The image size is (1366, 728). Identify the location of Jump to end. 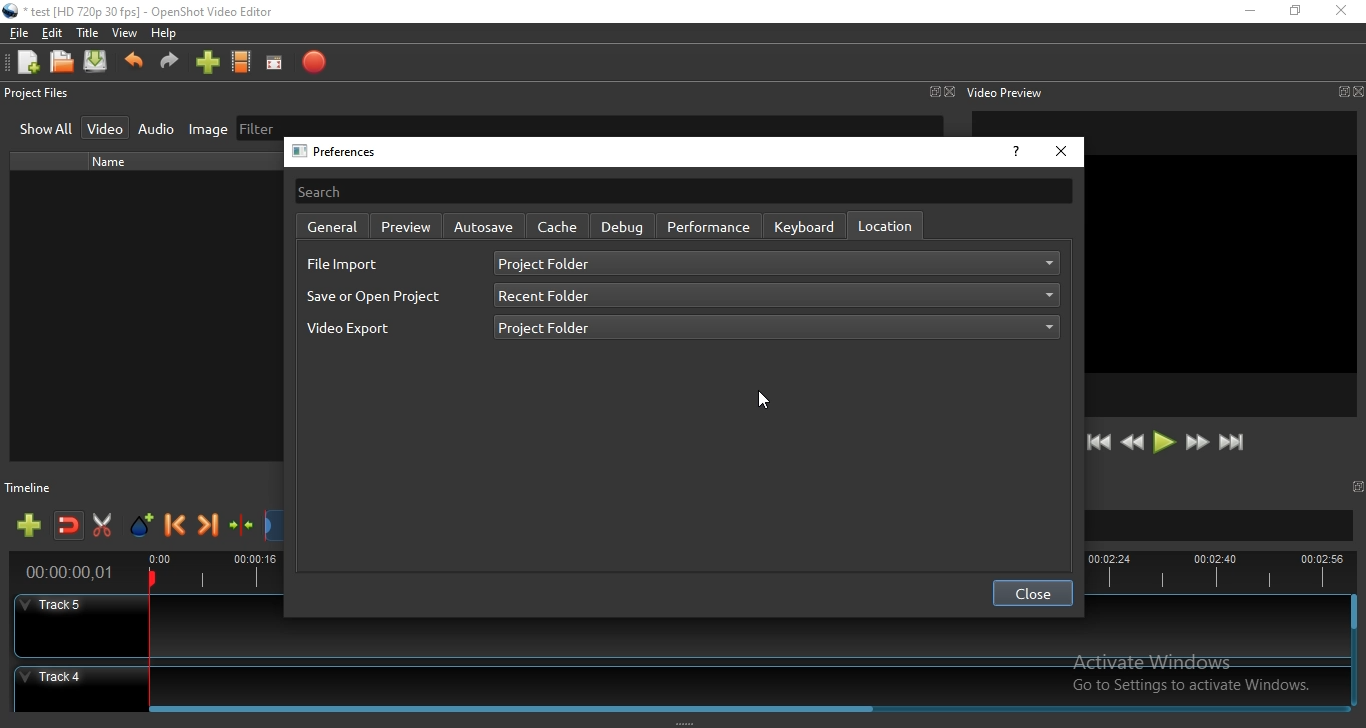
(1233, 443).